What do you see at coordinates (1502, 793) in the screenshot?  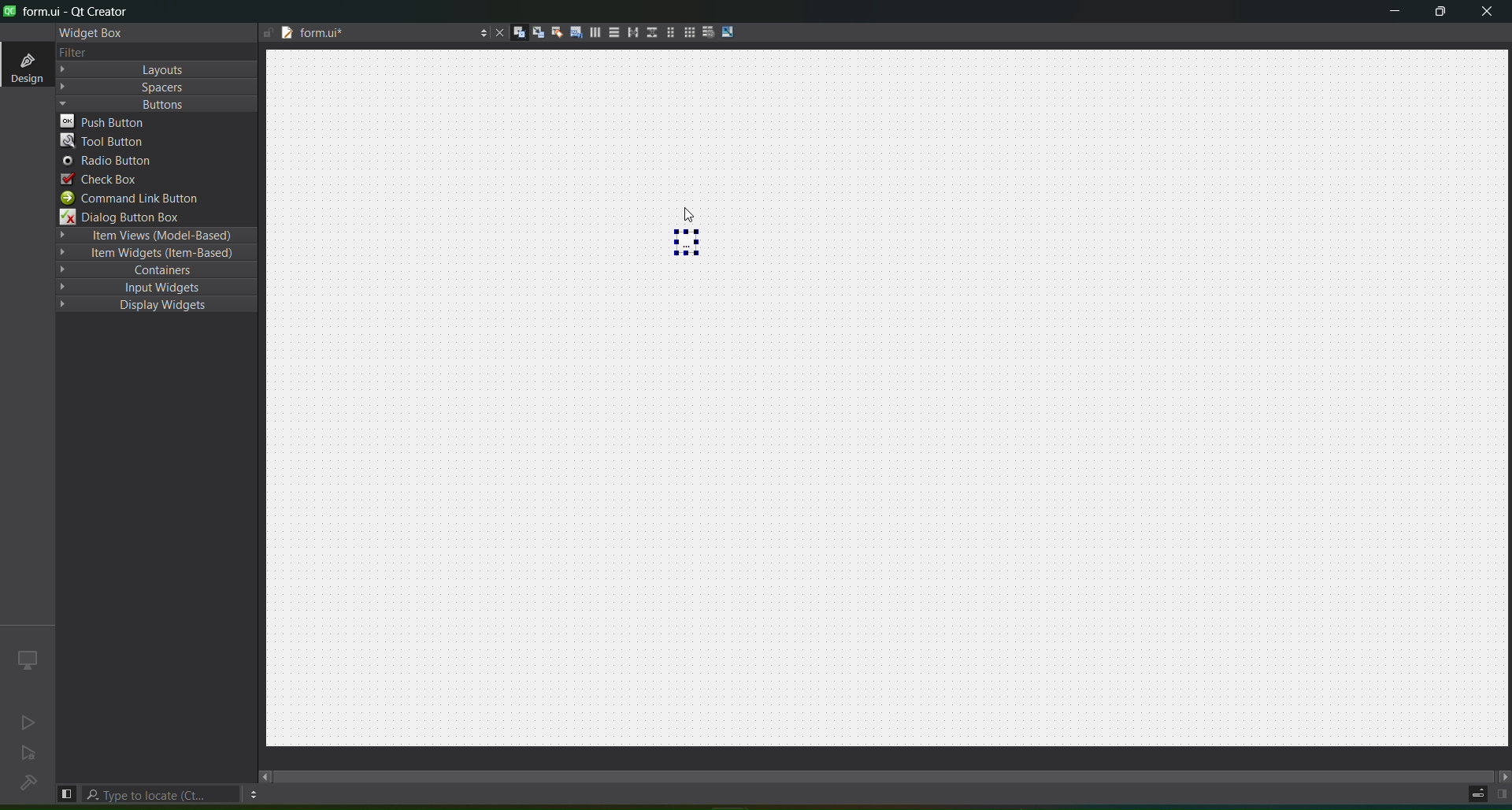 I see `show right panel` at bounding box center [1502, 793].